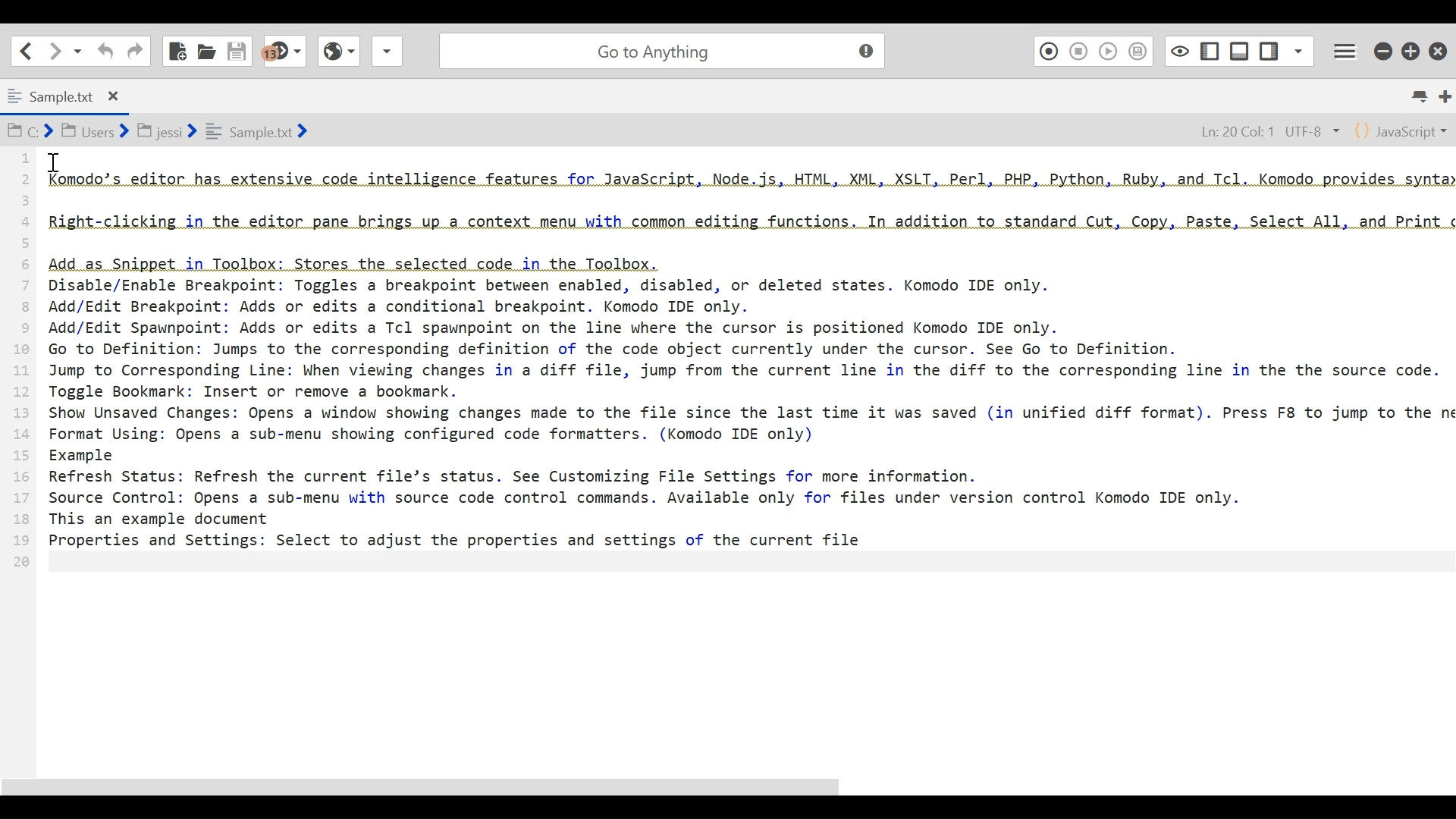 The height and width of the screenshot is (819, 1456). I want to click on Show in location, so click(159, 130).